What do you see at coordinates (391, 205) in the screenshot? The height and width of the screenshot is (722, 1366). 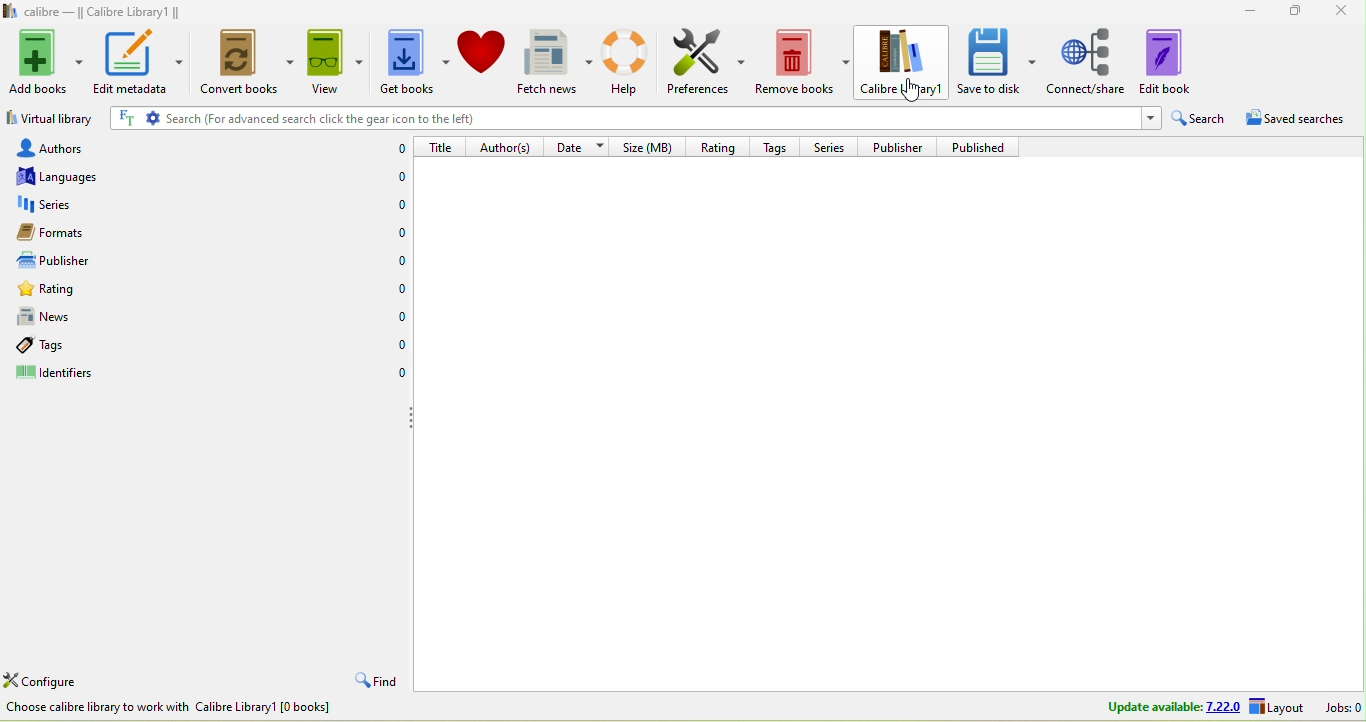 I see `0` at bounding box center [391, 205].